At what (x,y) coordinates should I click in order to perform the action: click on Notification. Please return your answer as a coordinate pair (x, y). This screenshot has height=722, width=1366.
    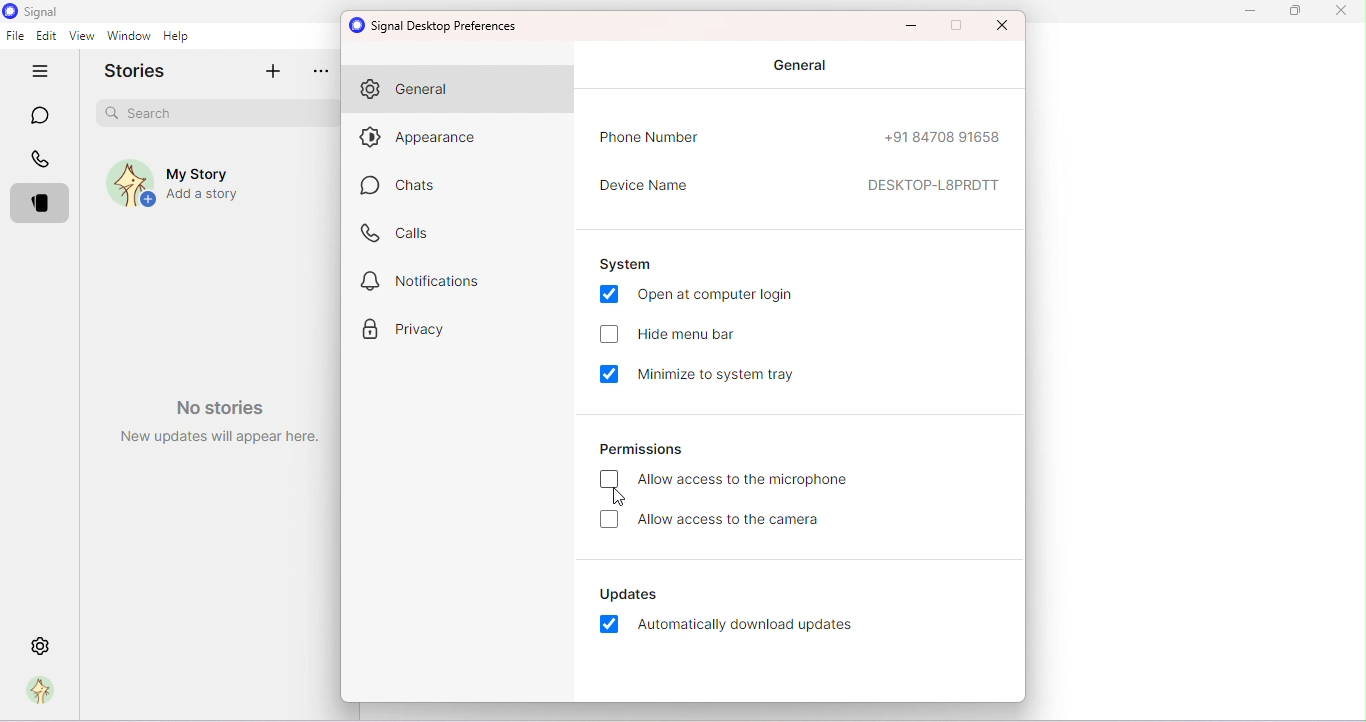
    Looking at the image, I should click on (420, 285).